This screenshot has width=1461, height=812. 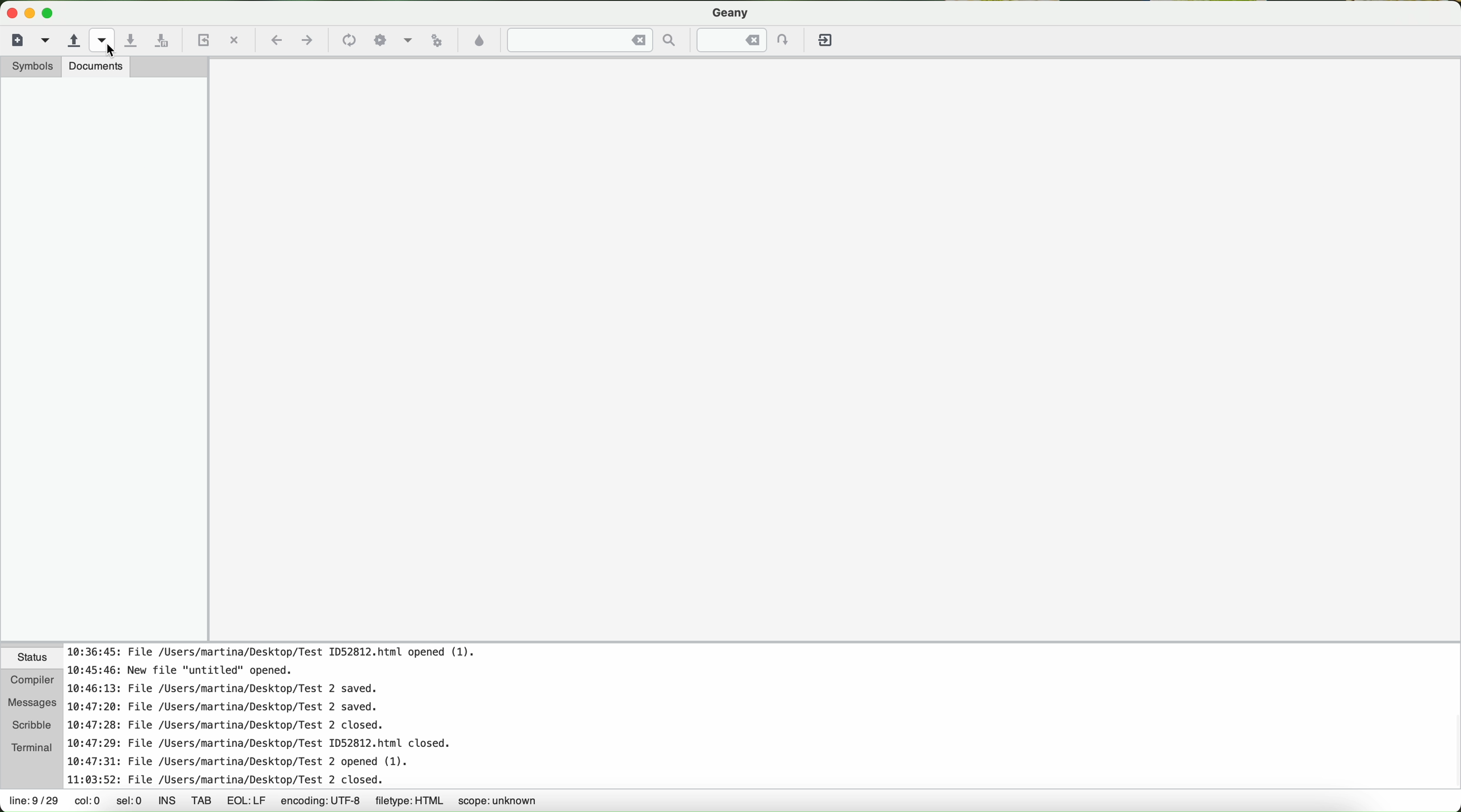 What do you see at coordinates (29, 724) in the screenshot?
I see `scribble` at bounding box center [29, 724].